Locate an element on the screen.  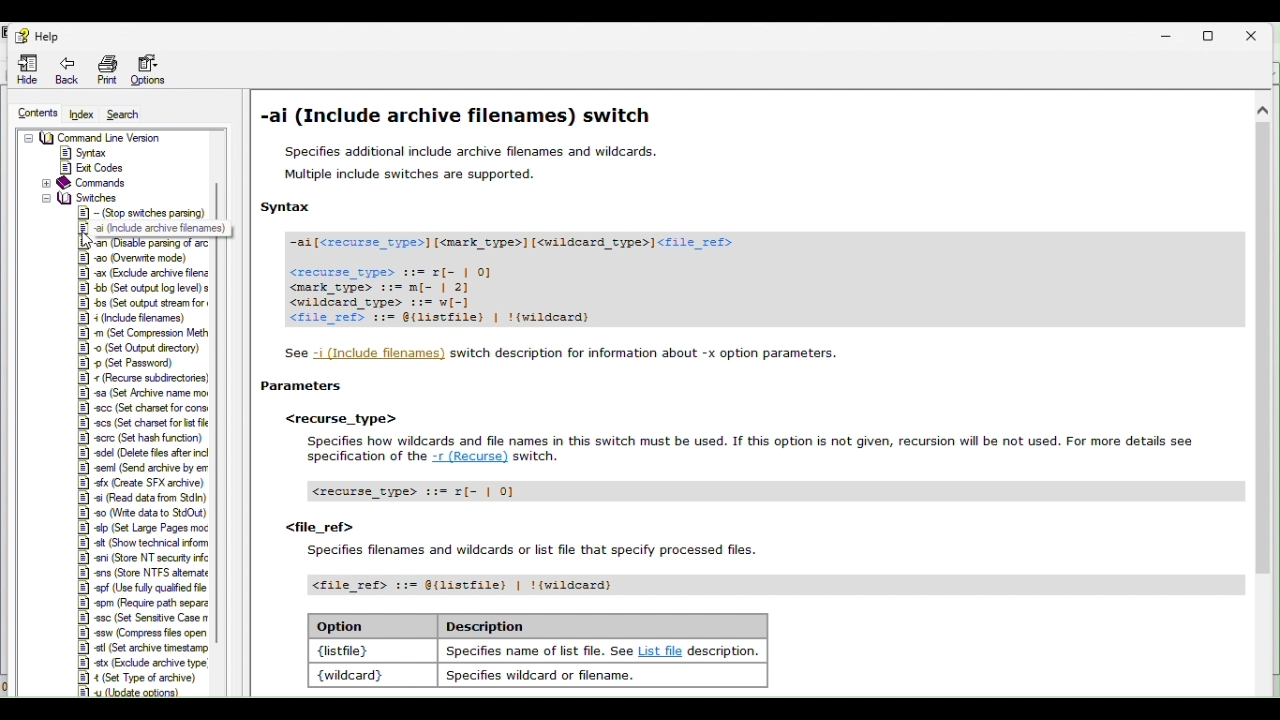
|] stl (Set archive tmestamp is located at coordinates (145, 647).